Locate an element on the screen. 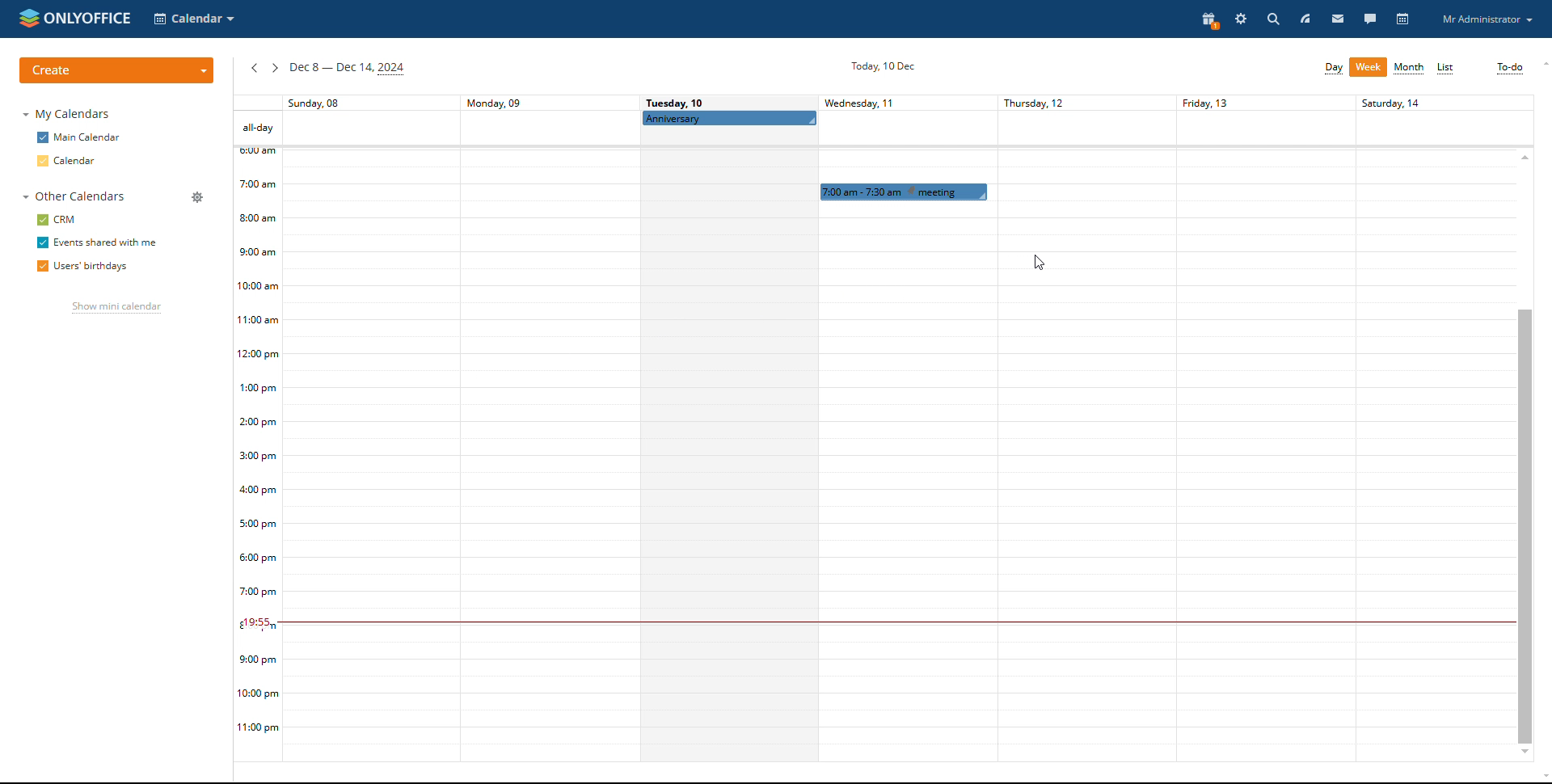 The image size is (1552, 784). monday is located at coordinates (547, 428).